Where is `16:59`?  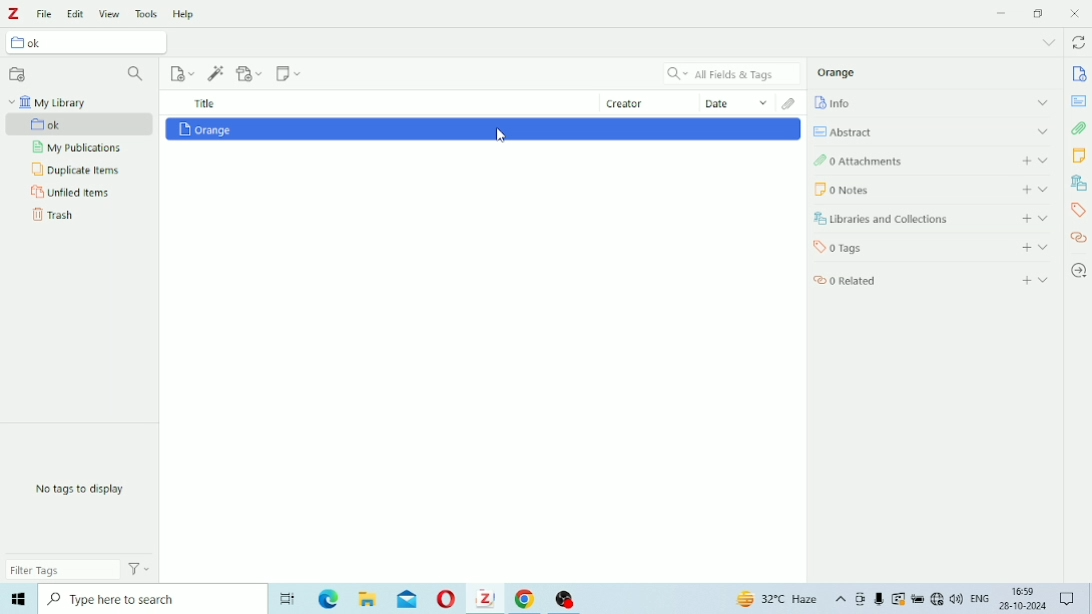
16:59 is located at coordinates (1024, 589).